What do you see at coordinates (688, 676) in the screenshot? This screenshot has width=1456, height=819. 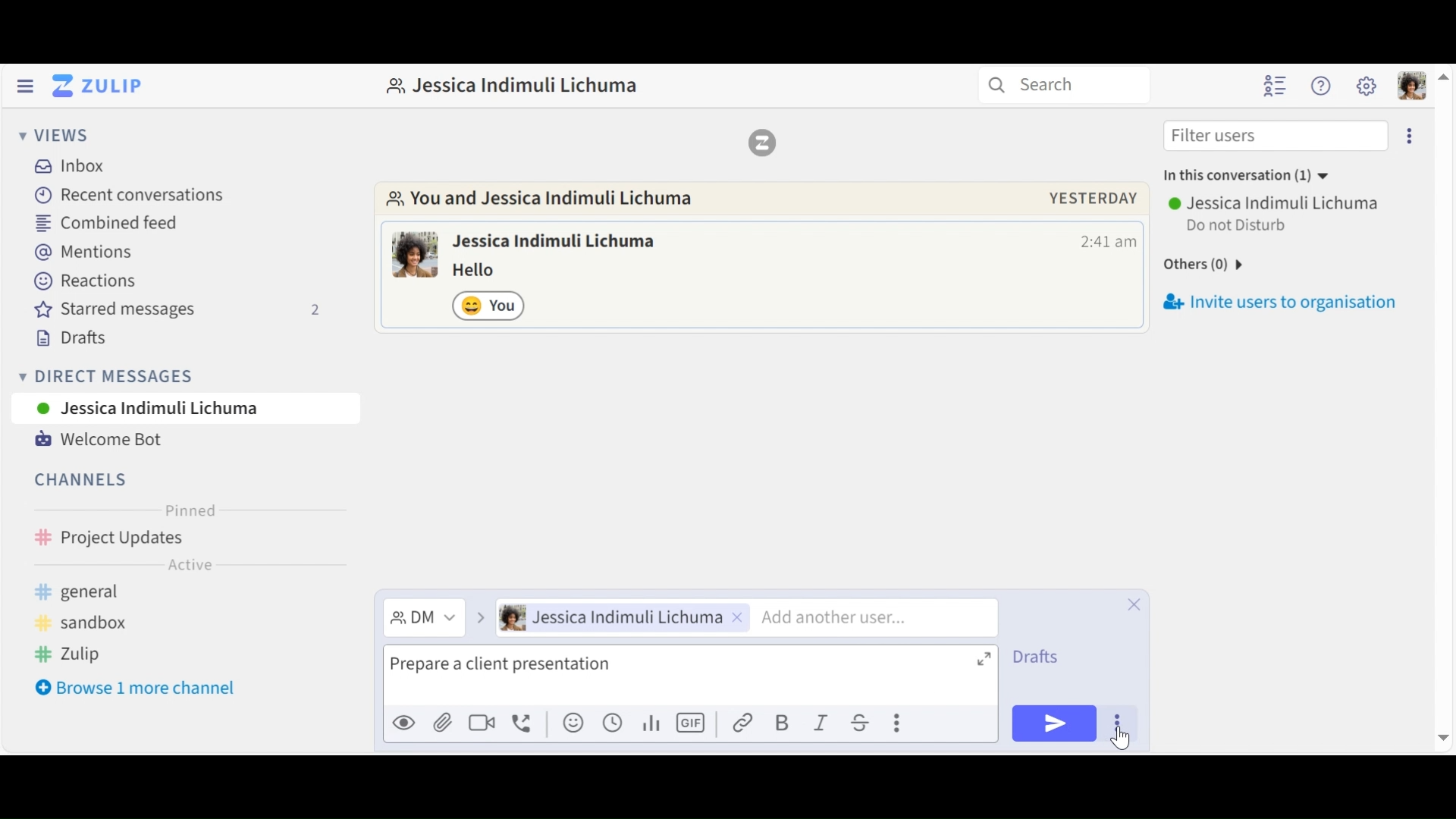 I see `Compose message` at bounding box center [688, 676].